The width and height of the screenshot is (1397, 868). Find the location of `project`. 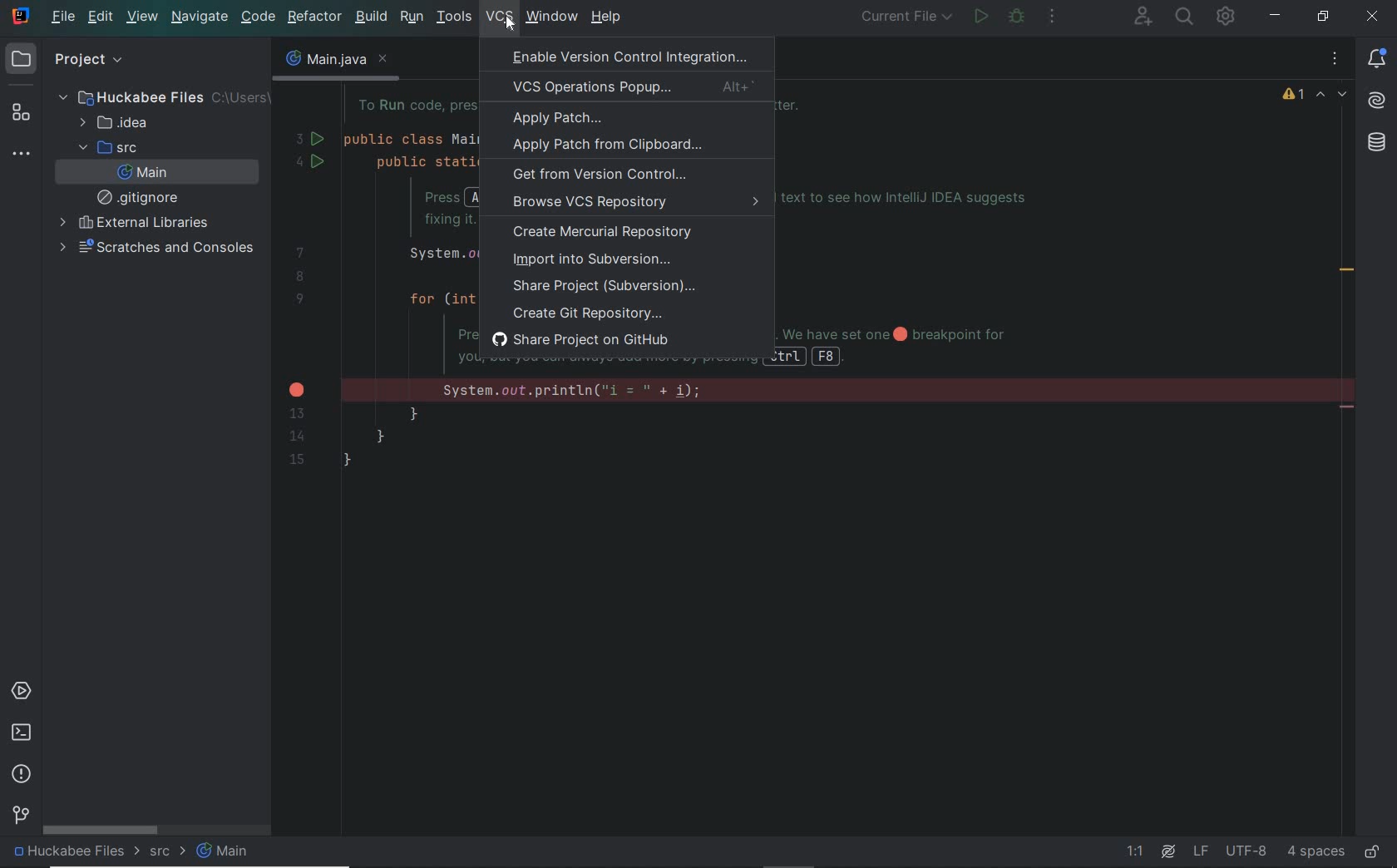

project is located at coordinates (73, 61).